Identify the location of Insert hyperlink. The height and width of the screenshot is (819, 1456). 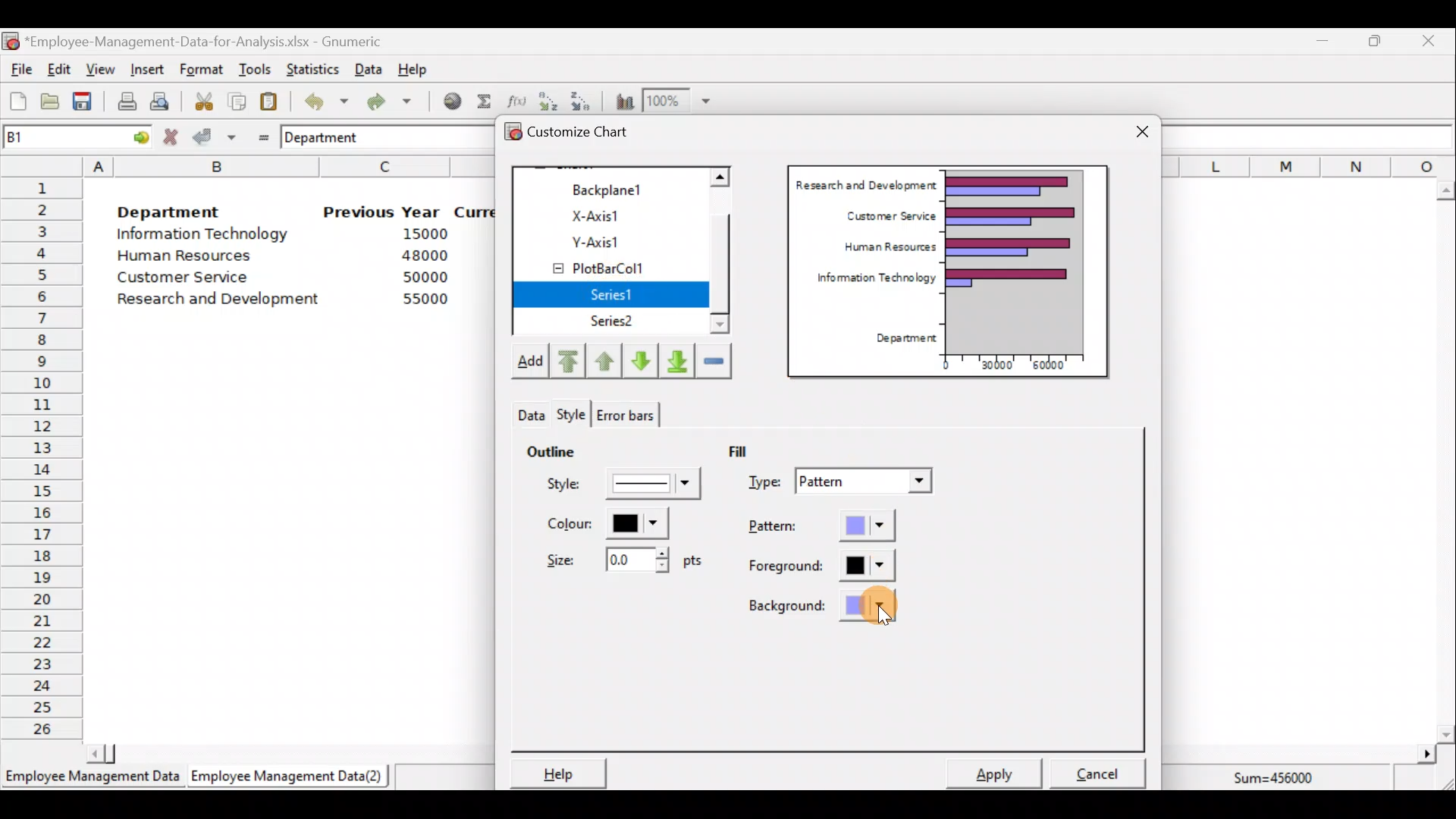
(447, 100).